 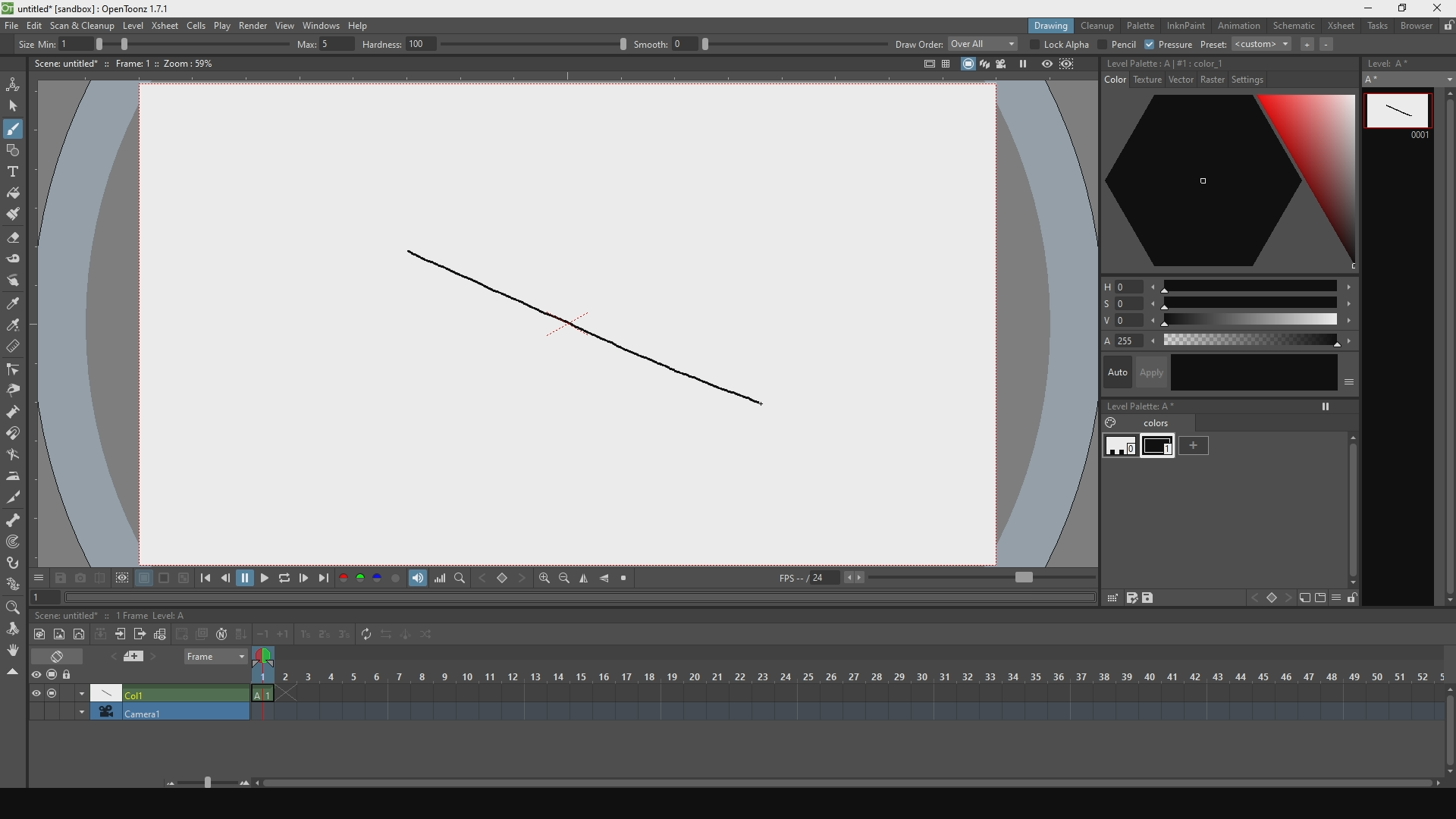 What do you see at coordinates (1147, 79) in the screenshot?
I see `texture` at bounding box center [1147, 79].